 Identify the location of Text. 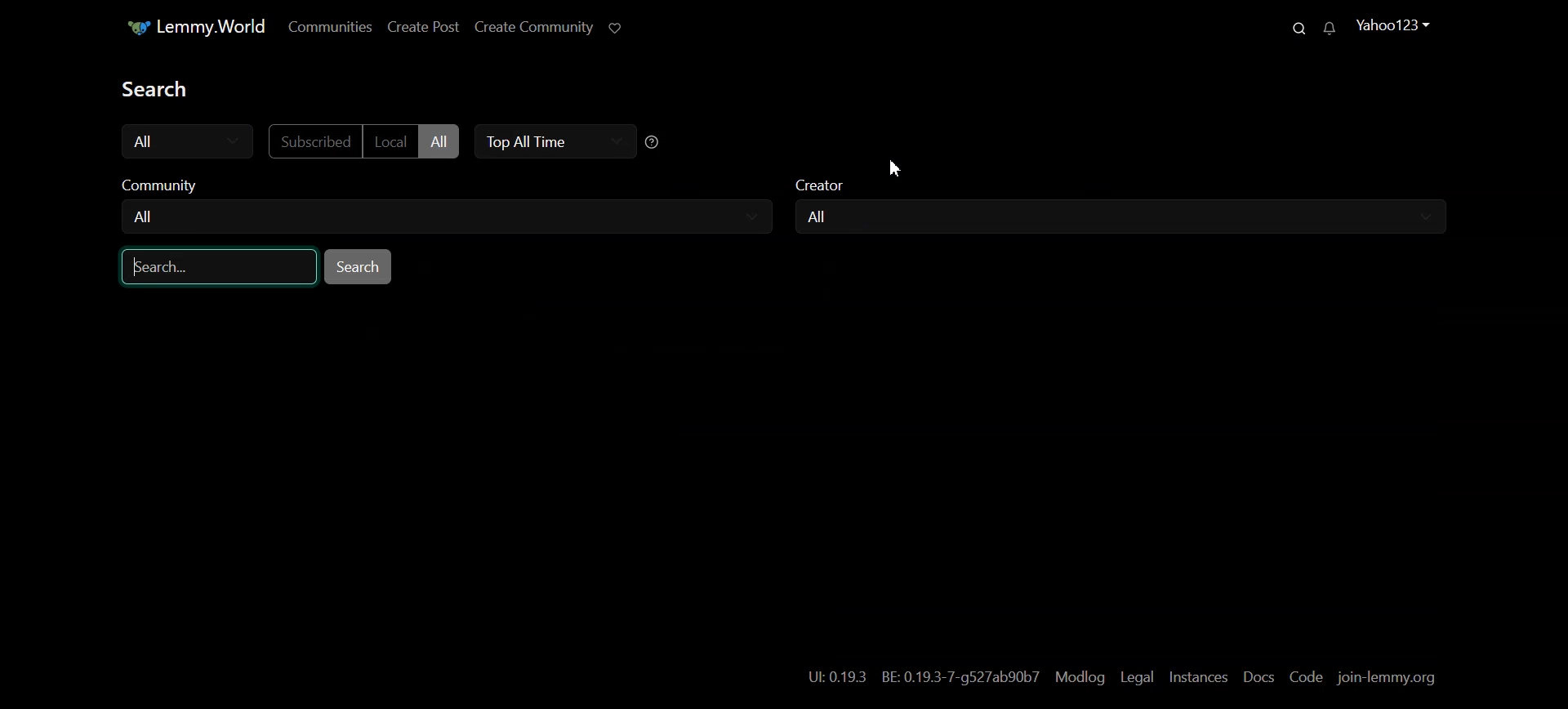
(167, 89).